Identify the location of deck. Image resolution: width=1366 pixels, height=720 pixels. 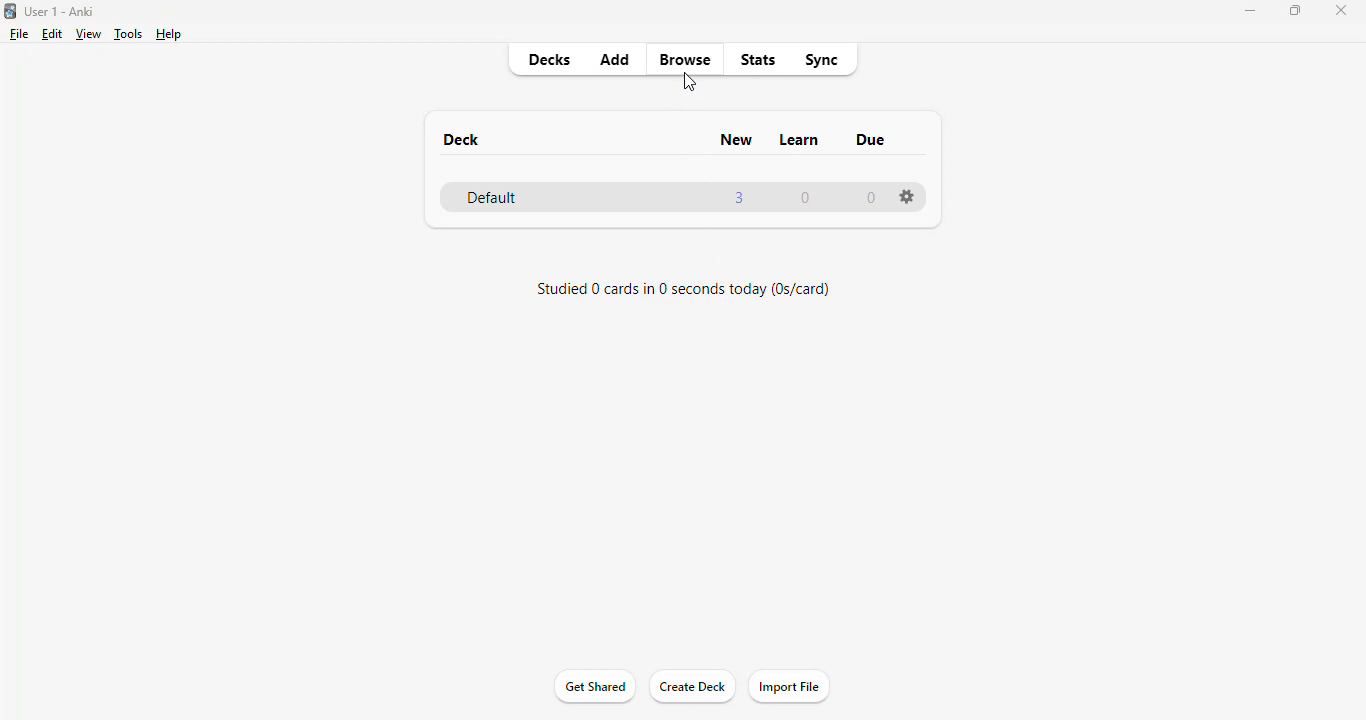
(462, 139).